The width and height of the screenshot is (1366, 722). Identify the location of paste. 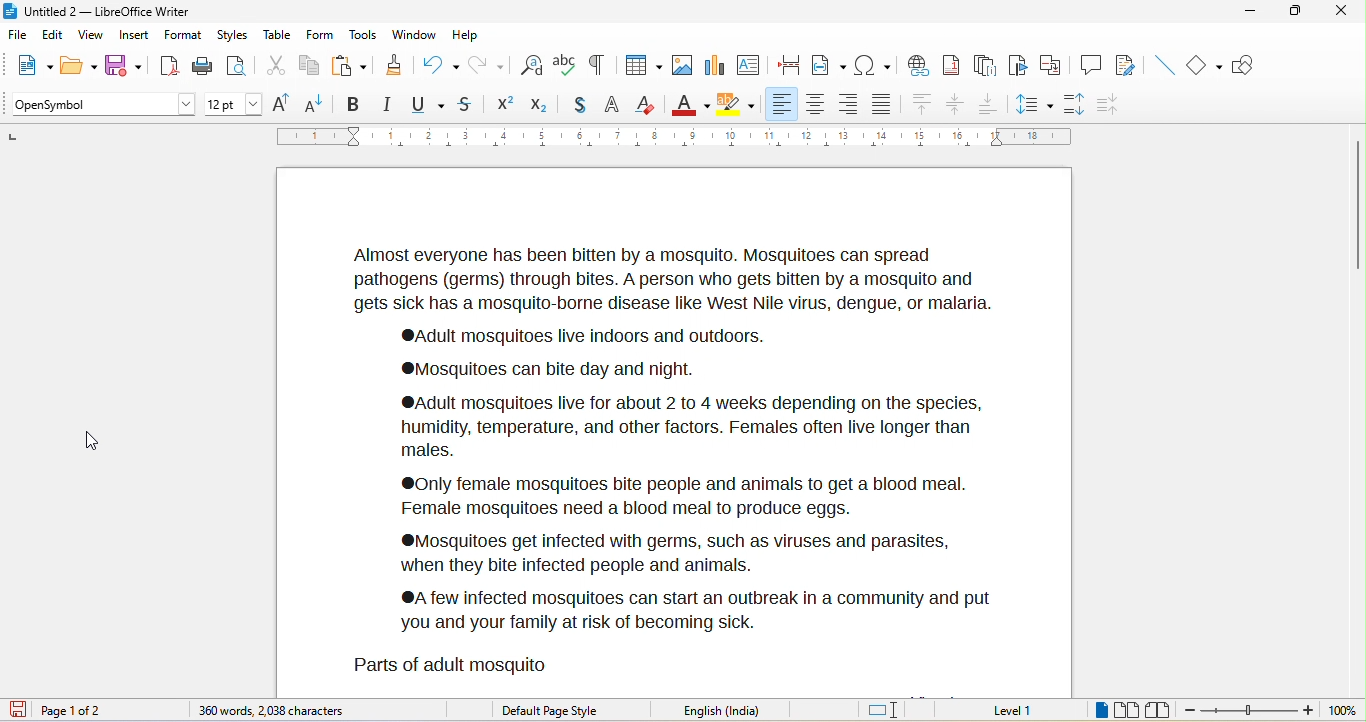
(346, 65).